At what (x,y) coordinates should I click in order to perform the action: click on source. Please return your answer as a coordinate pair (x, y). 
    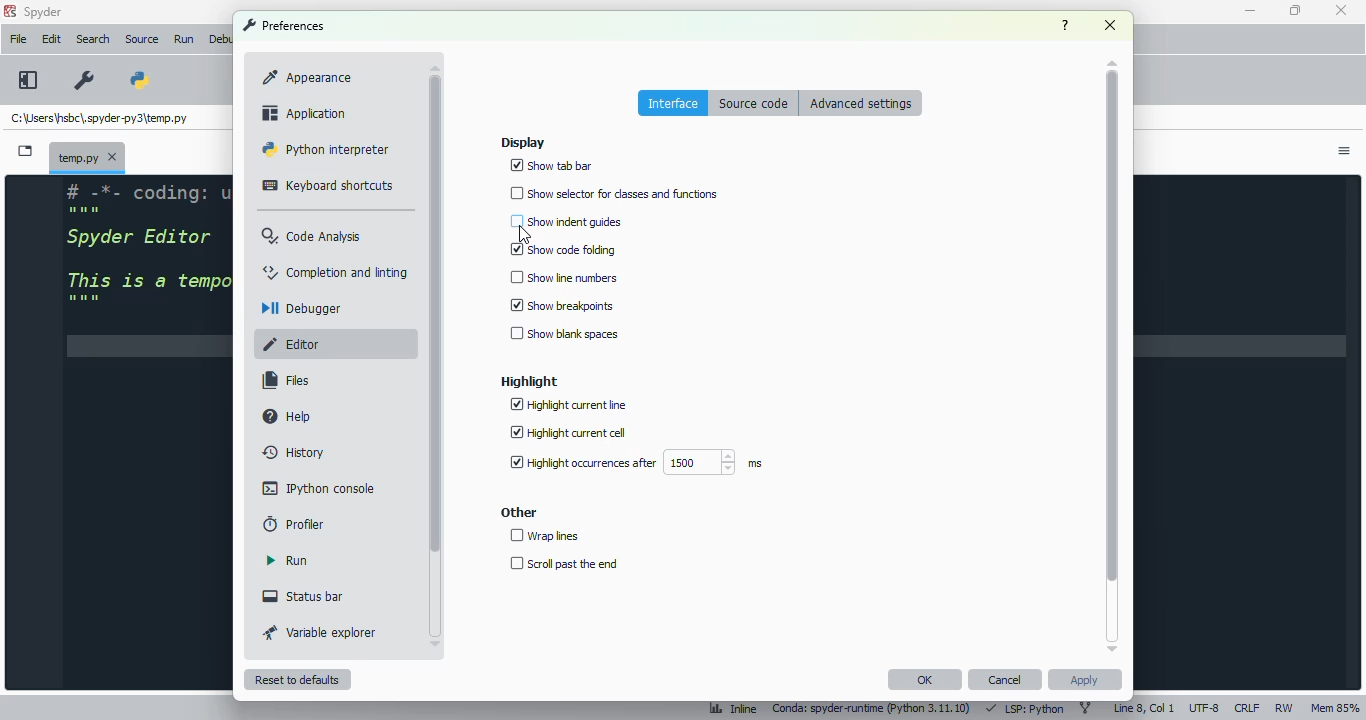
    Looking at the image, I should click on (142, 39).